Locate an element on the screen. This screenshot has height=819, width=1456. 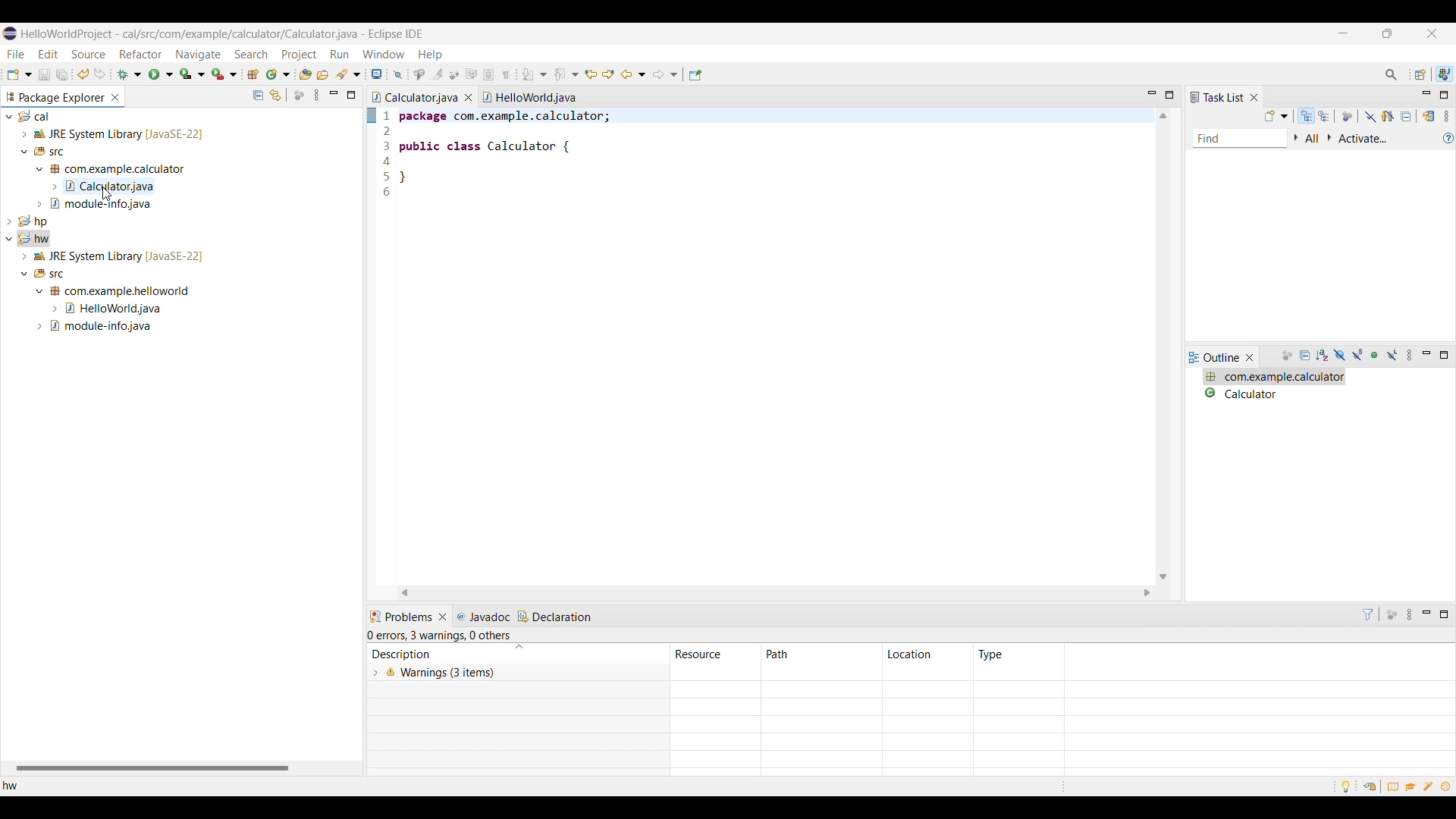
hp project is located at coordinates (179, 220).